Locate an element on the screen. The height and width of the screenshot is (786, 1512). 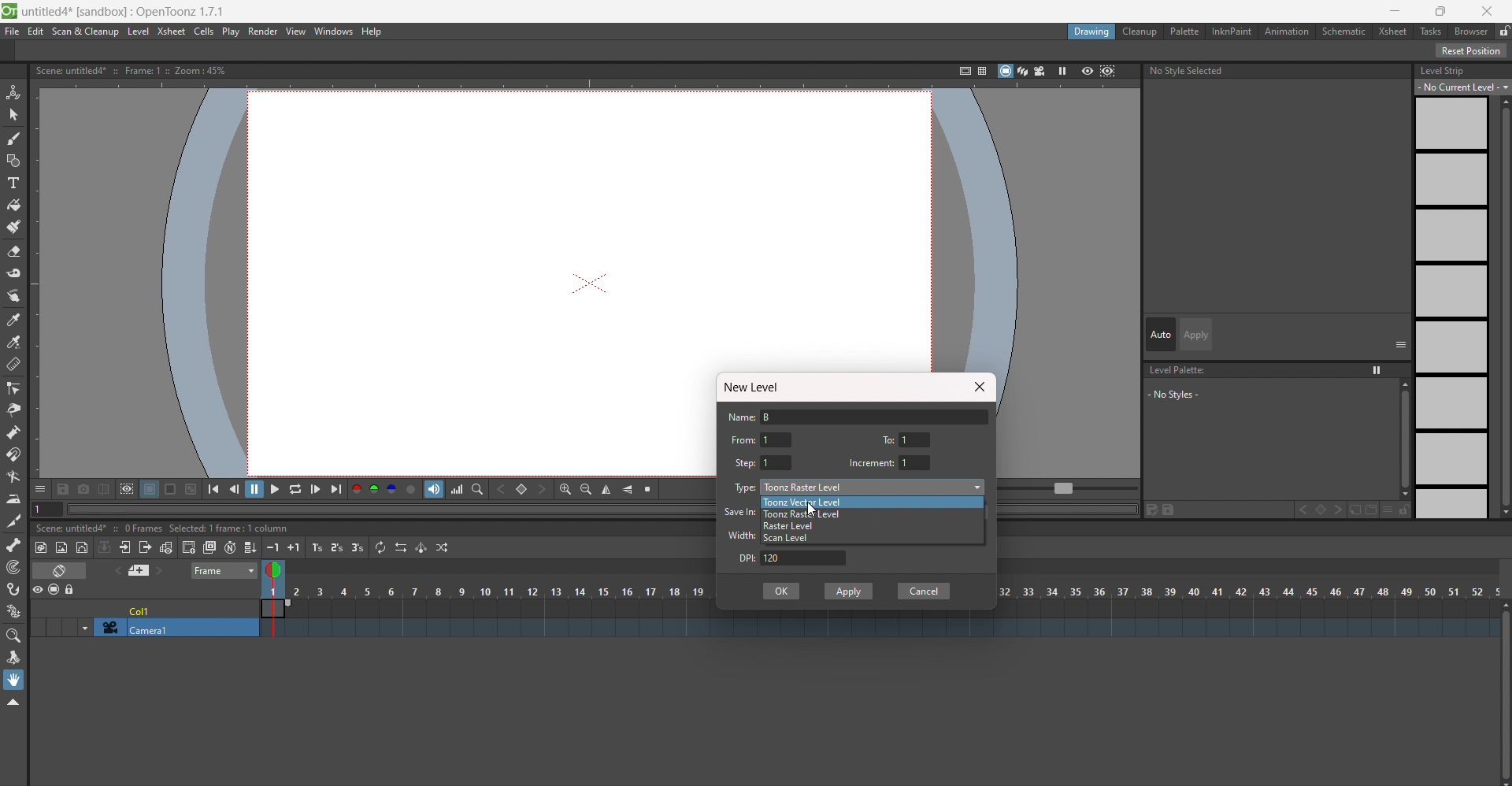
freeze is located at coordinates (1061, 71).